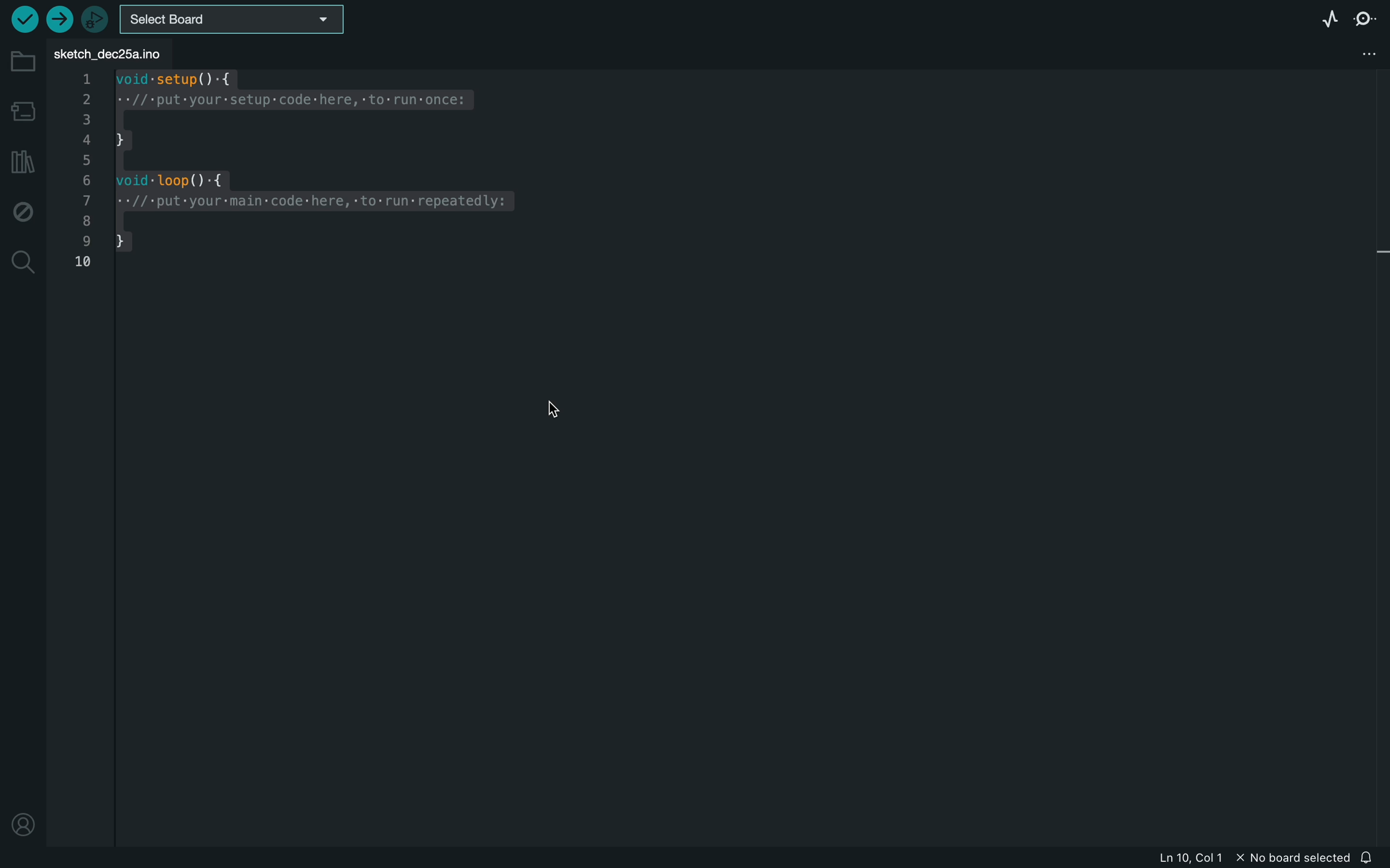 The height and width of the screenshot is (868, 1390). I want to click on profile, so click(23, 819).